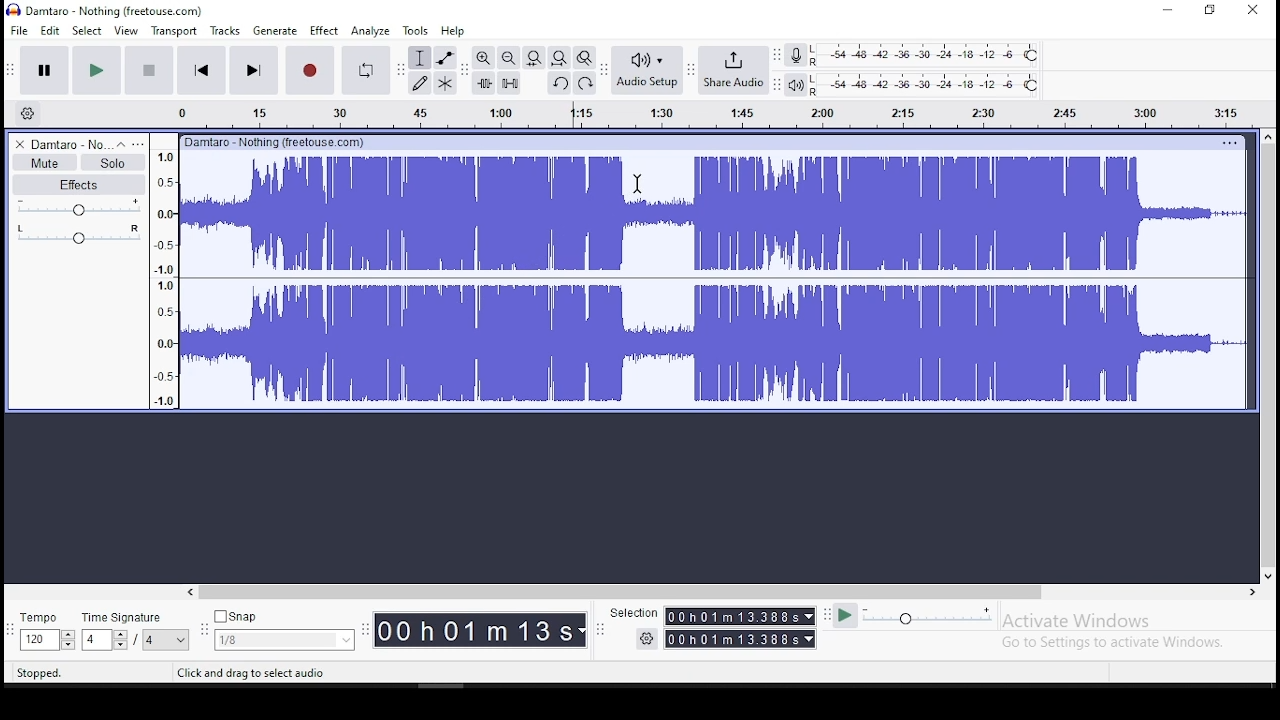 The height and width of the screenshot is (720, 1280). I want to click on playback meter, so click(796, 84).